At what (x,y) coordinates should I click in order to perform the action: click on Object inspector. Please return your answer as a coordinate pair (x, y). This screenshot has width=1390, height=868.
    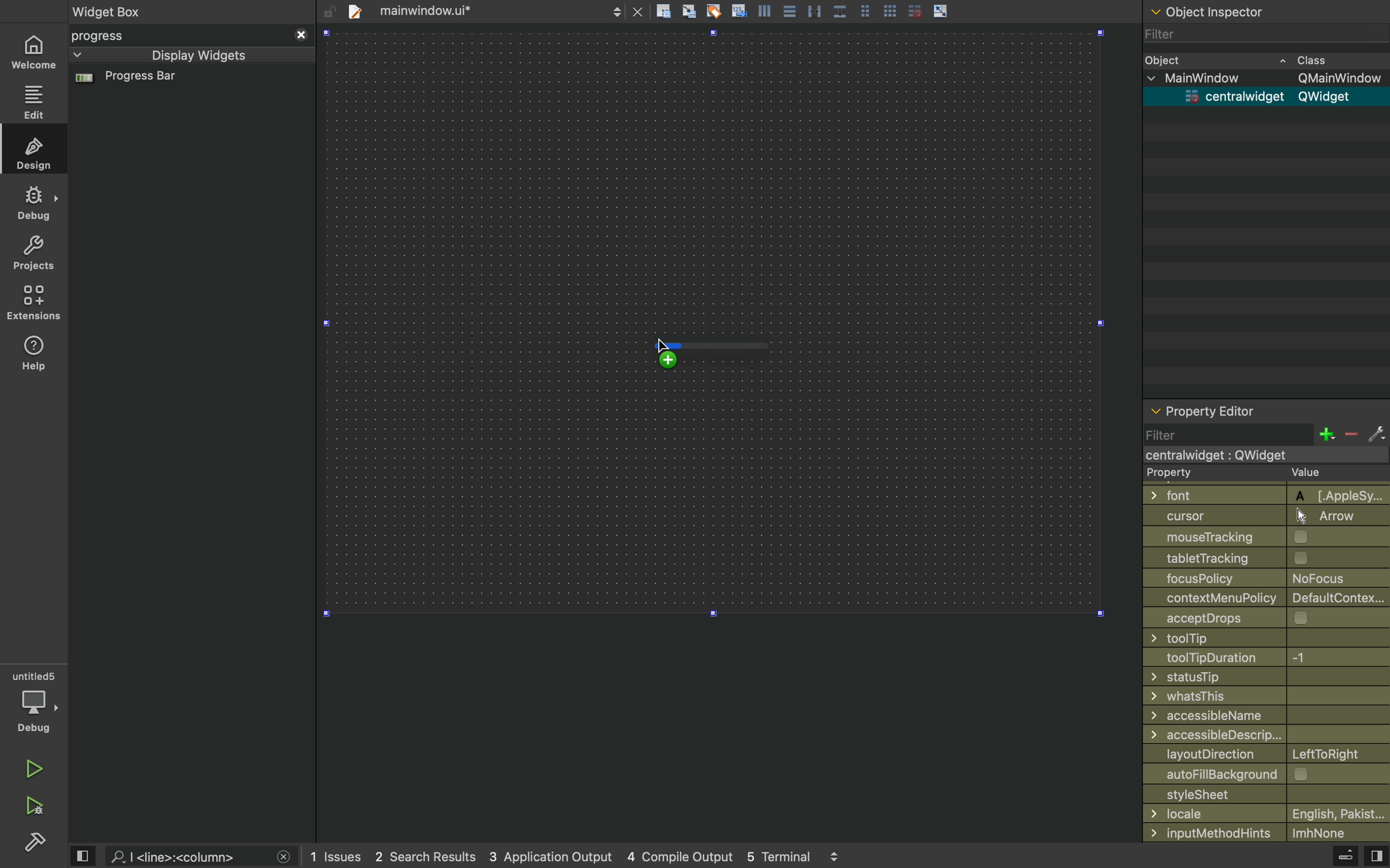
    Looking at the image, I should click on (1267, 10).